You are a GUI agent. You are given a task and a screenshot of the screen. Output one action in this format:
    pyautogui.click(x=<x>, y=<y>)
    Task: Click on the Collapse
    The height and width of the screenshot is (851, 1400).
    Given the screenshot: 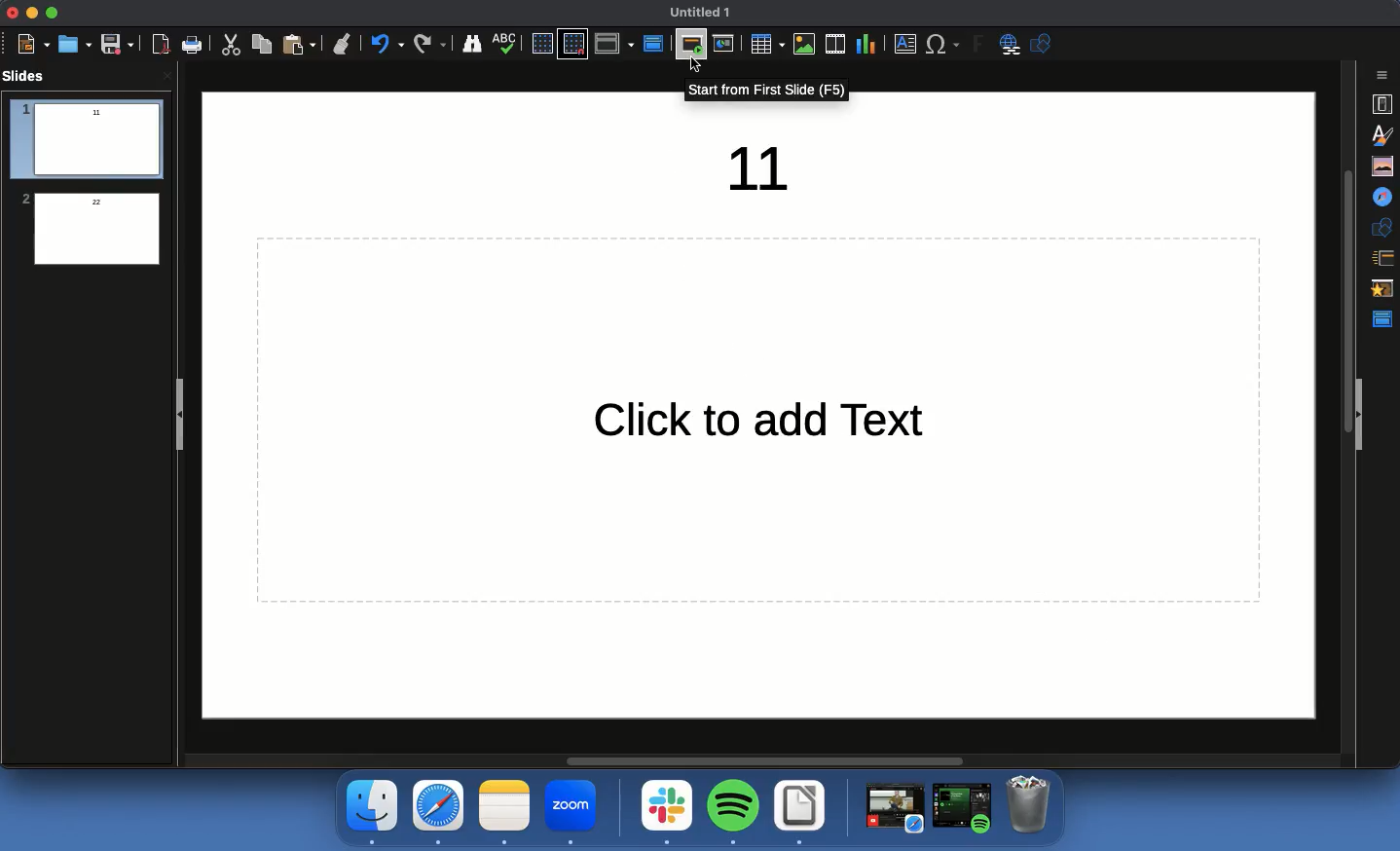 What is the action you would take?
    pyautogui.click(x=1367, y=415)
    